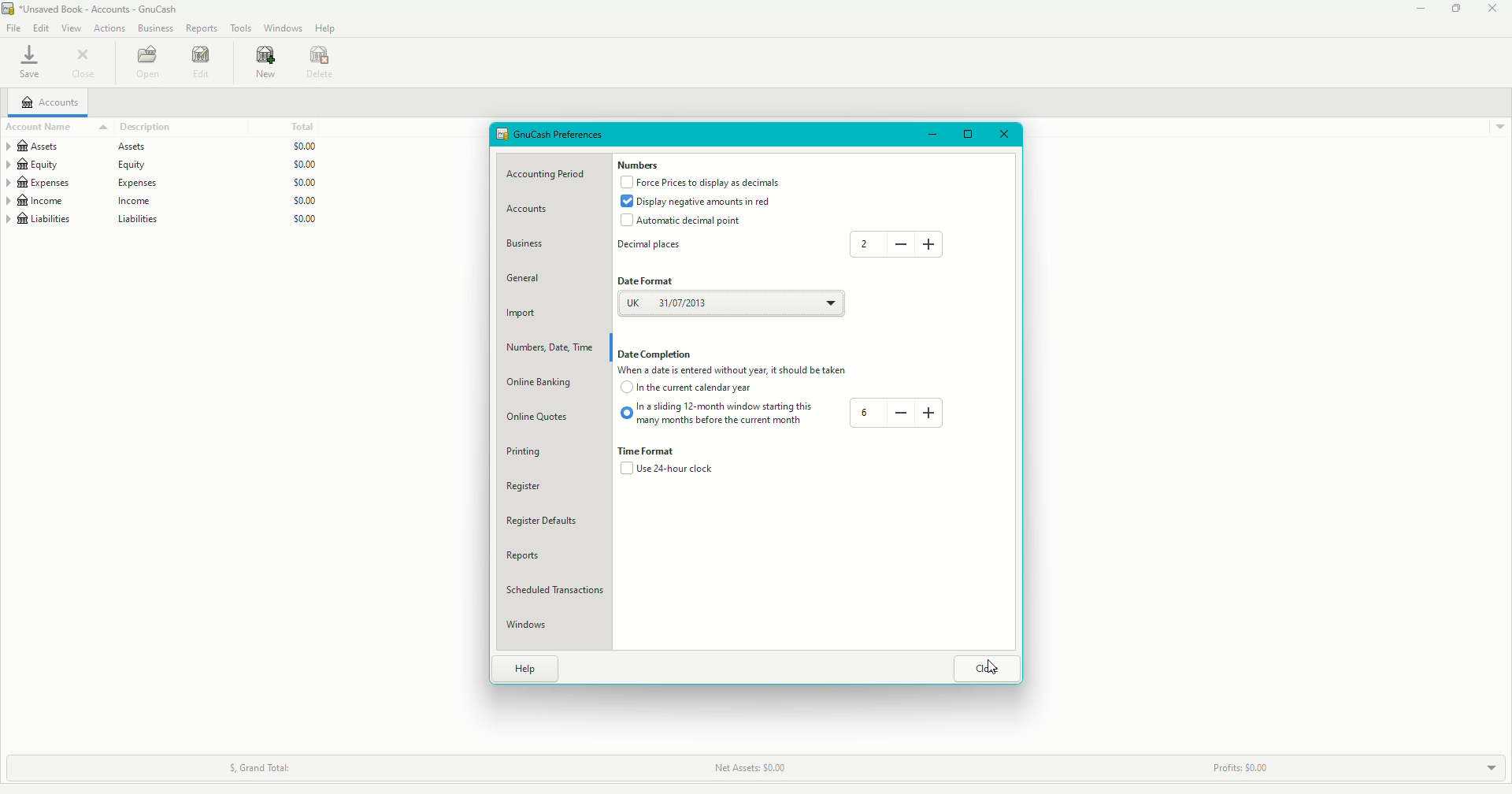 The image size is (1512, 794). I want to click on Close, so click(82, 65).